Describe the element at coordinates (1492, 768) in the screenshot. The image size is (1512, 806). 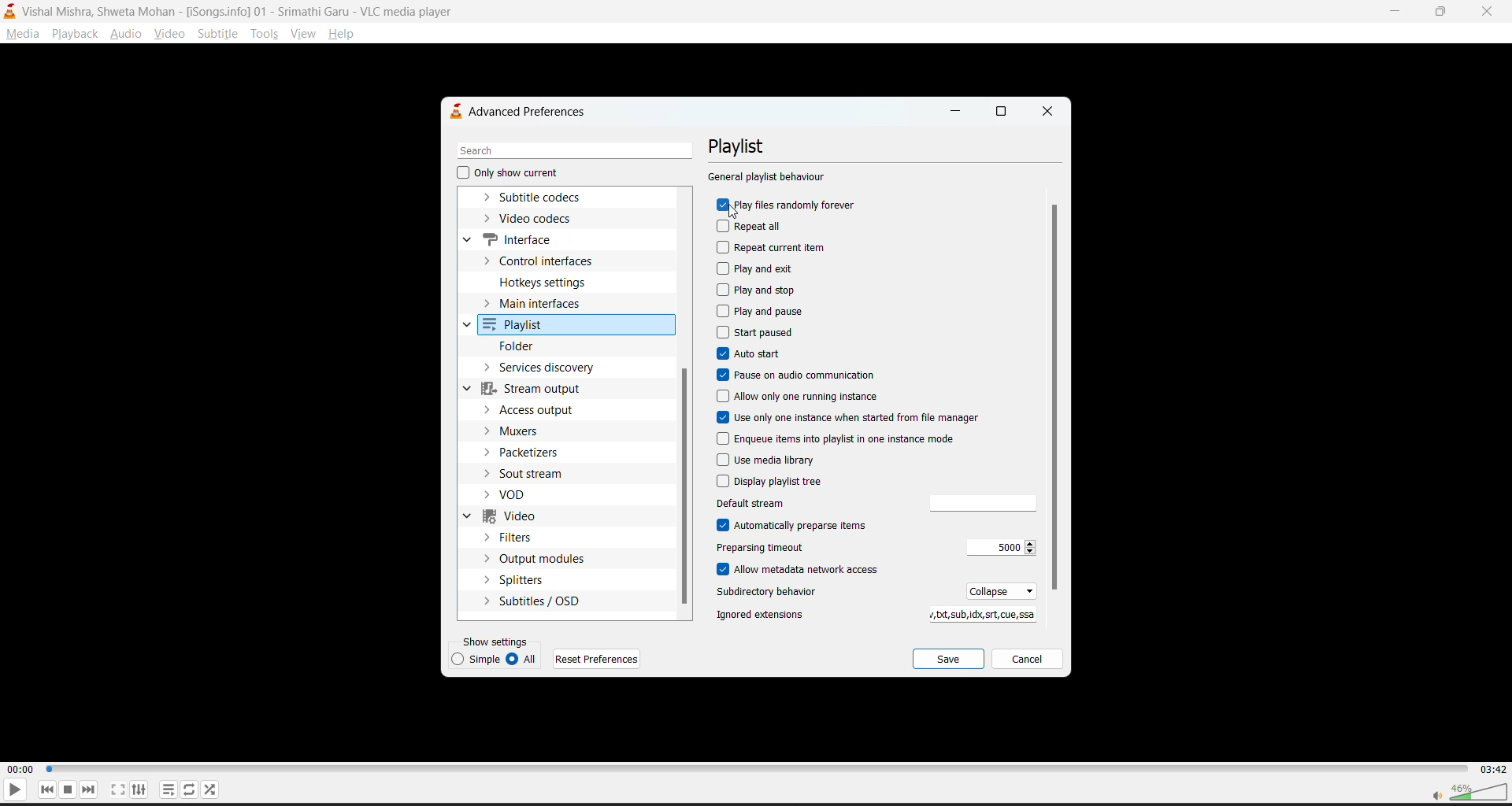
I see `03:42` at that location.